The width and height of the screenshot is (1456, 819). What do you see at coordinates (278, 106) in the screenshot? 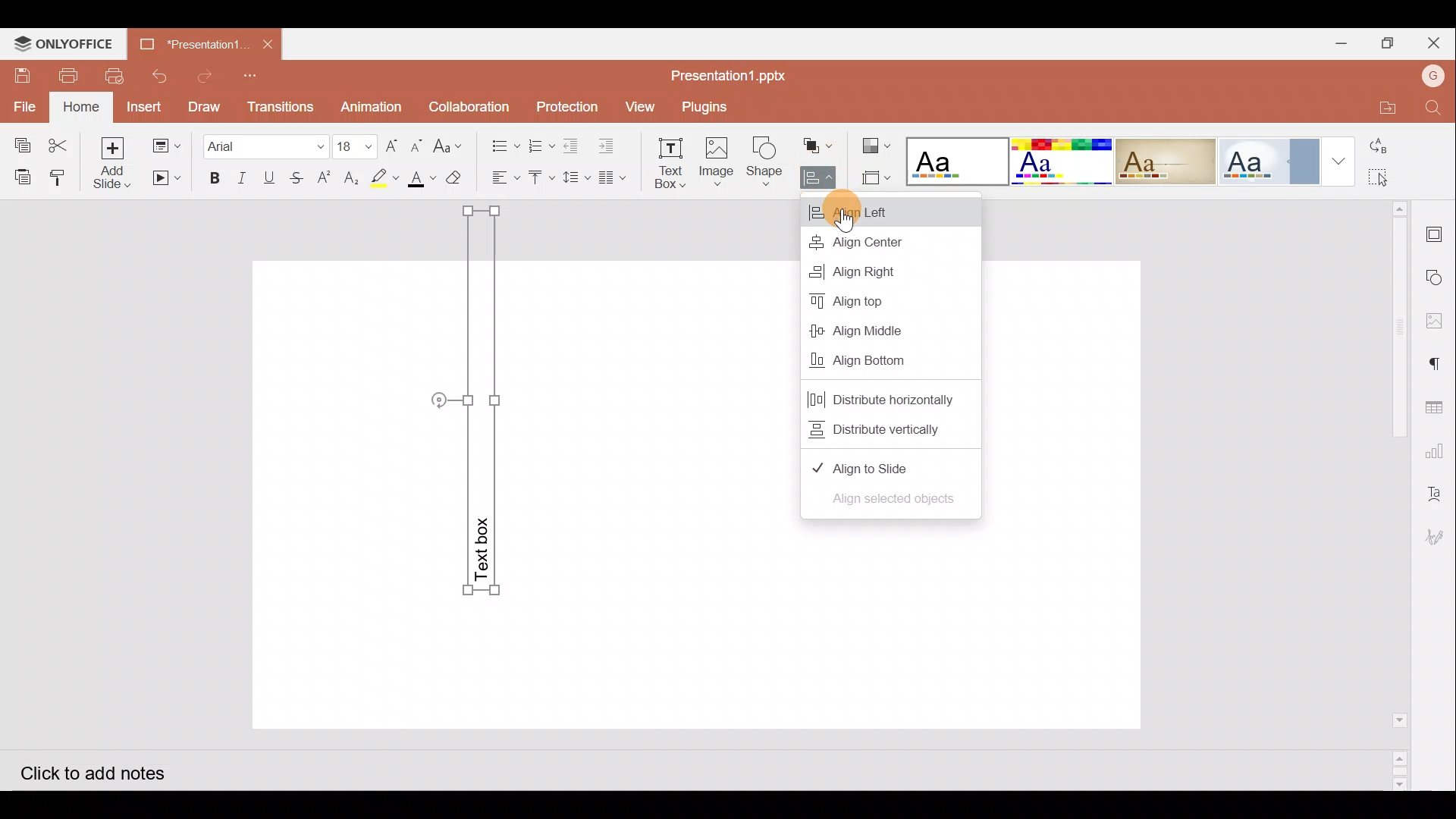
I see `Transitions` at bounding box center [278, 106].